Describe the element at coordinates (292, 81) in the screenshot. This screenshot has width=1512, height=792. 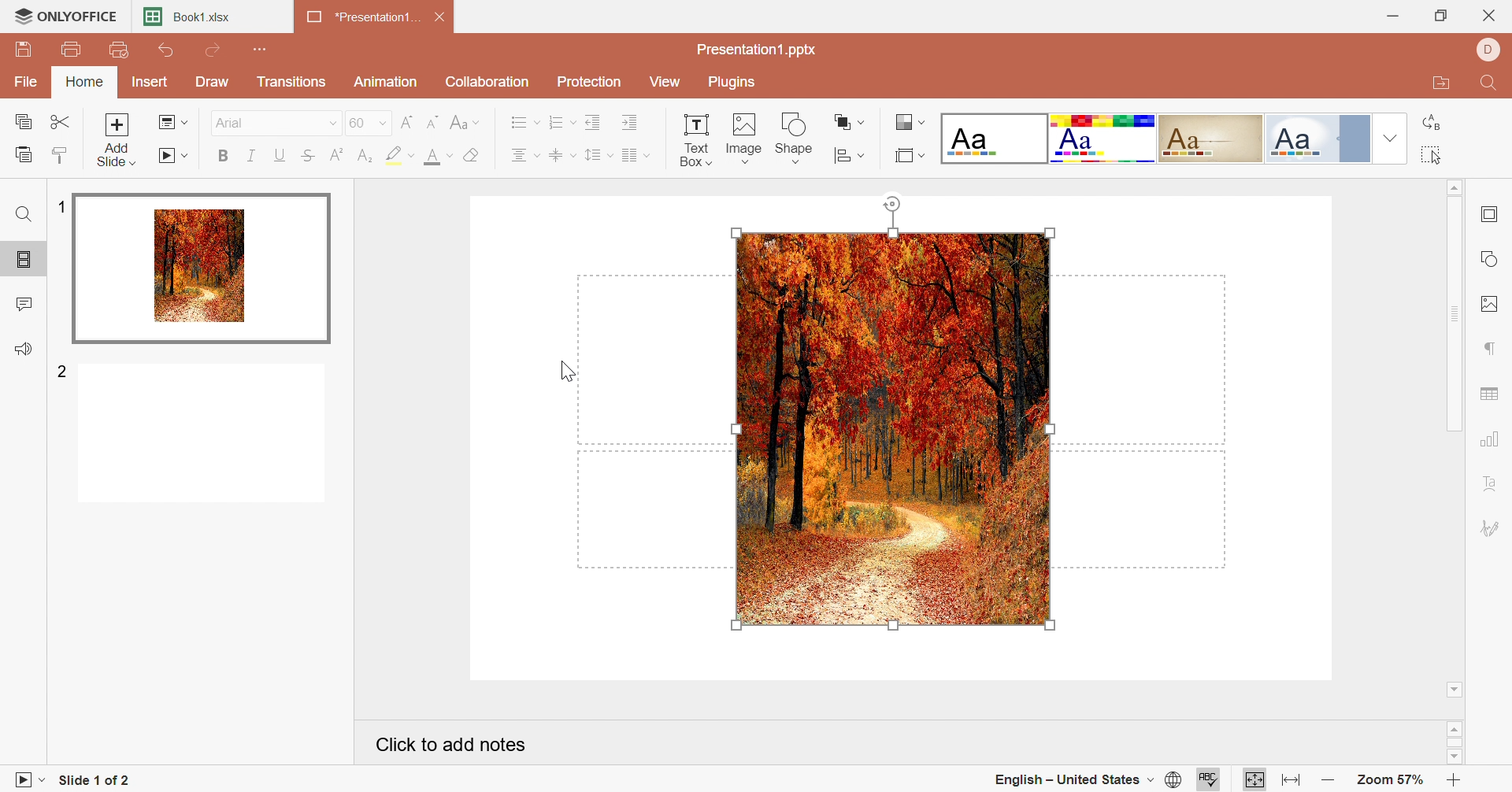
I see `Transitions` at that location.